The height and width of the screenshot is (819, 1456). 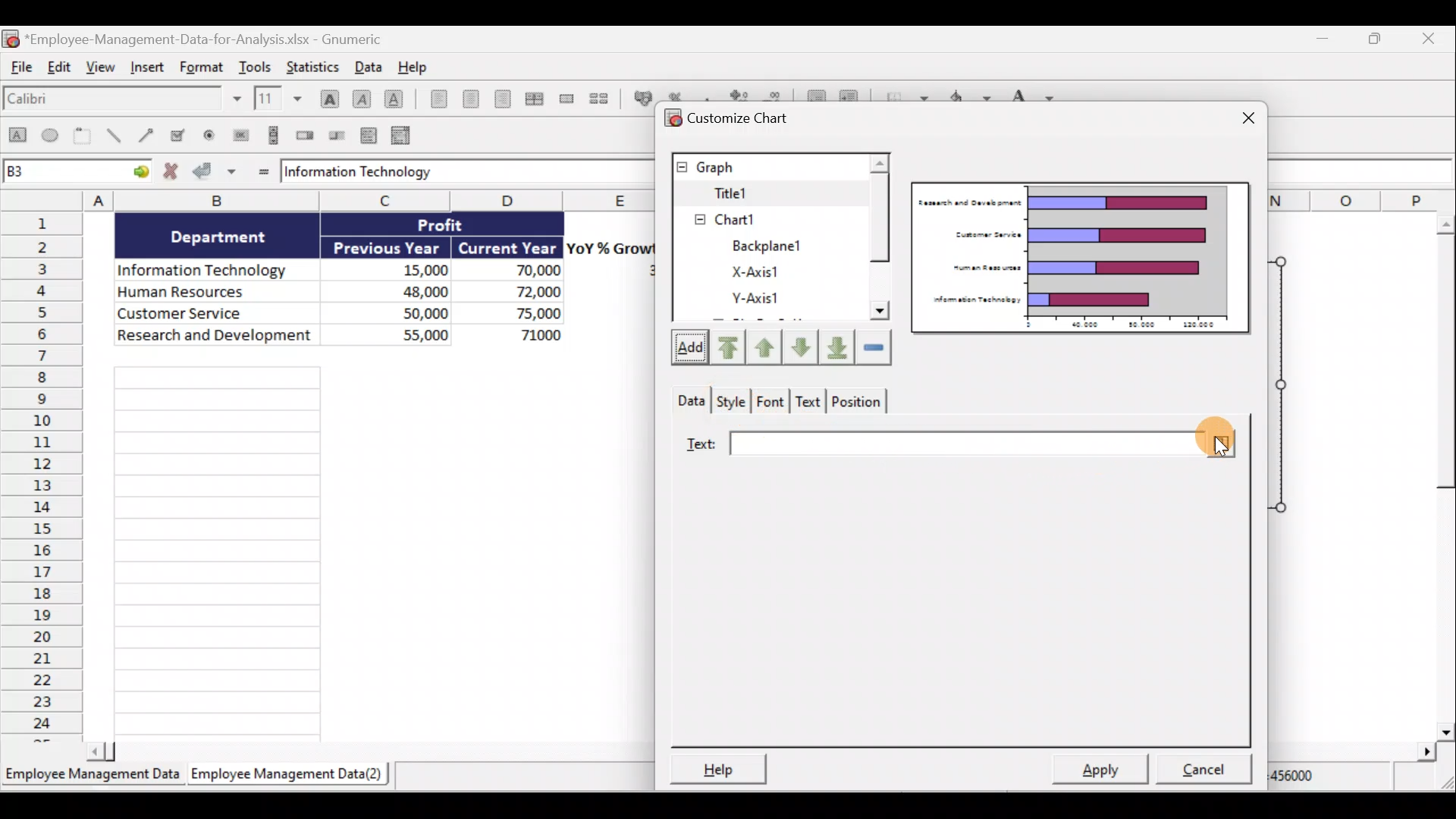 I want to click on Columns, so click(x=325, y=199).